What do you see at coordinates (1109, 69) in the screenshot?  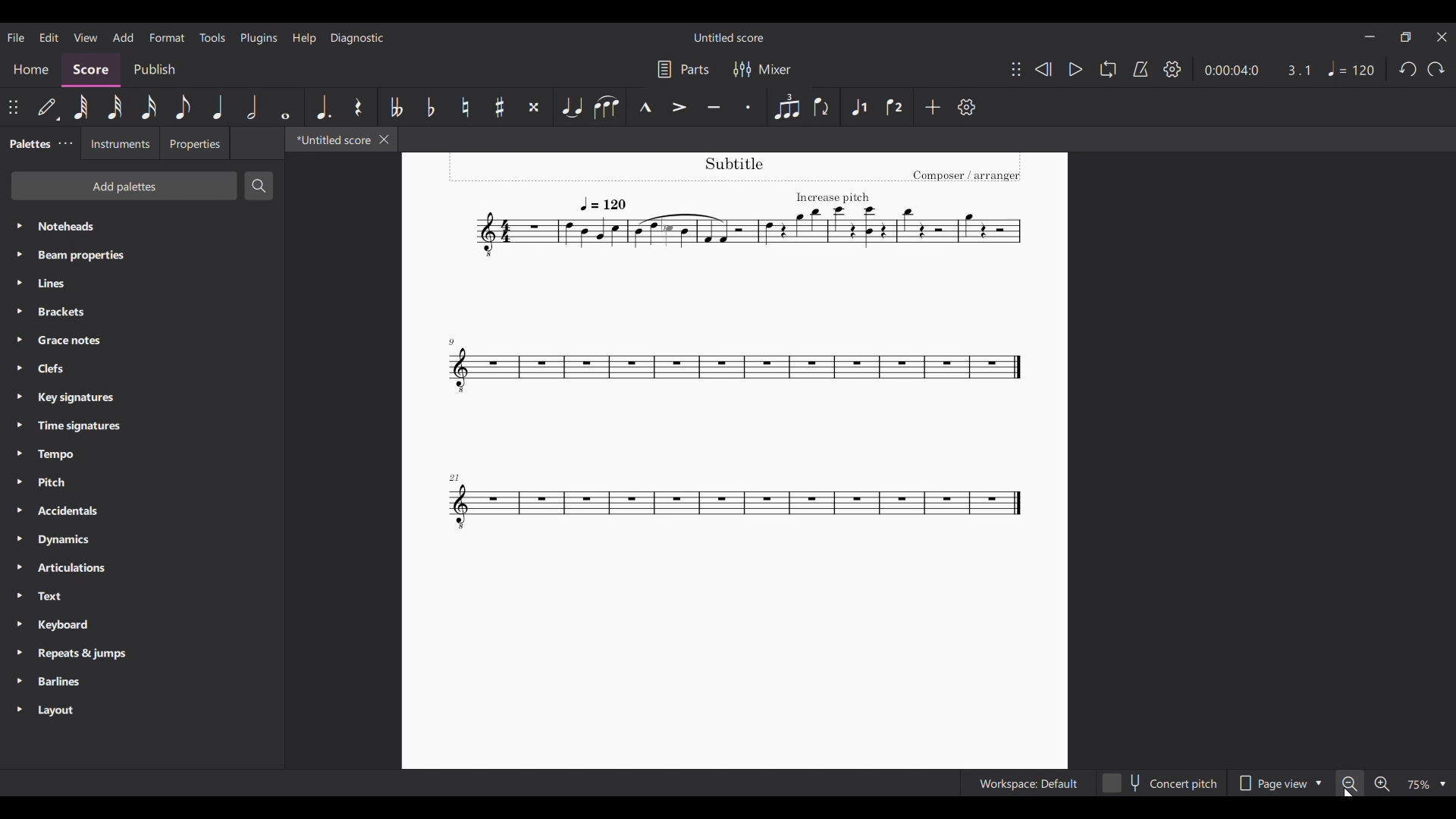 I see `Loop playback` at bounding box center [1109, 69].